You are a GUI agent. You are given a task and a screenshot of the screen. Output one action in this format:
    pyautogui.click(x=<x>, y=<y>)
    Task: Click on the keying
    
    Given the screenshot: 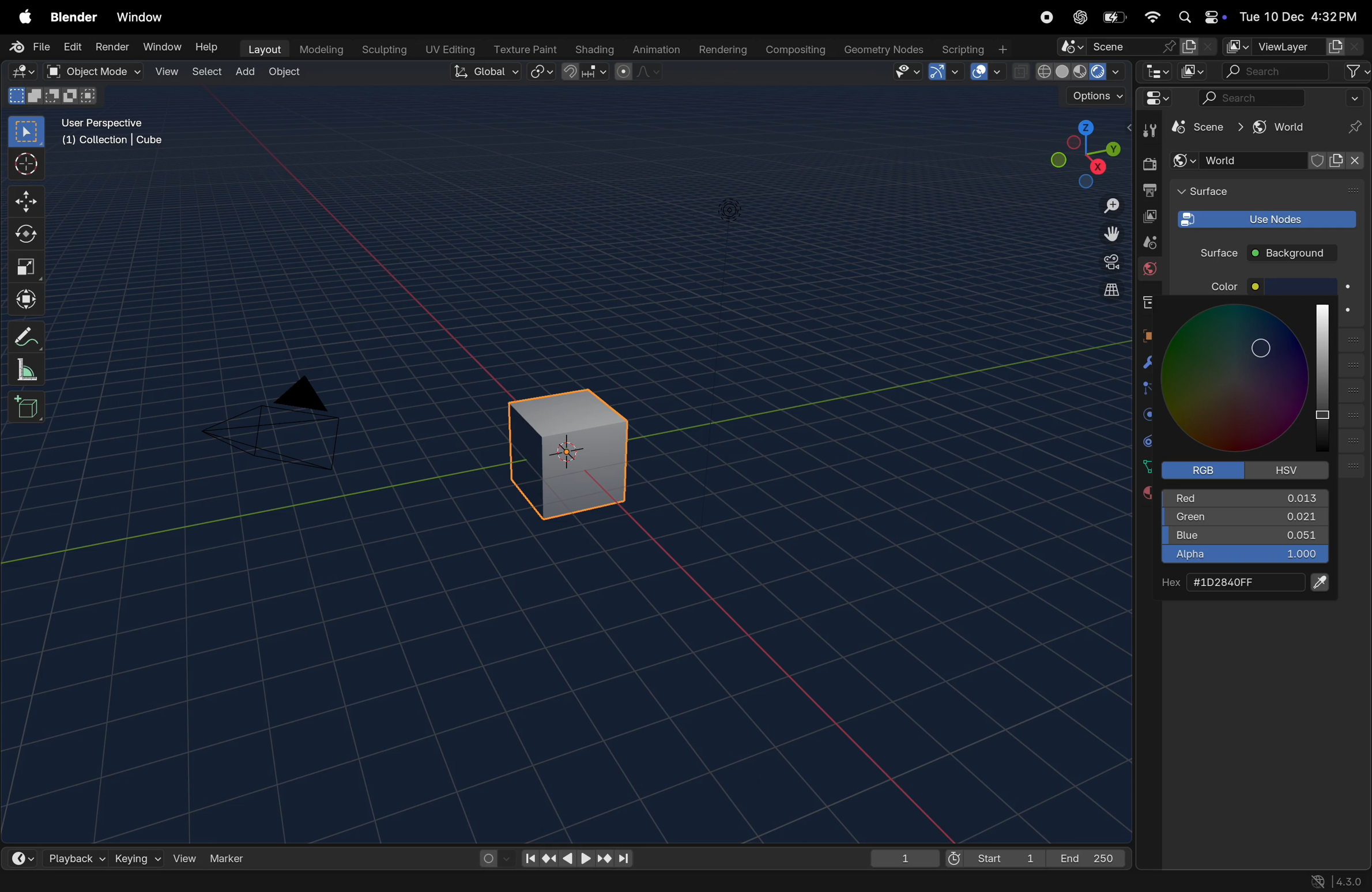 What is the action you would take?
    pyautogui.click(x=138, y=856)
    